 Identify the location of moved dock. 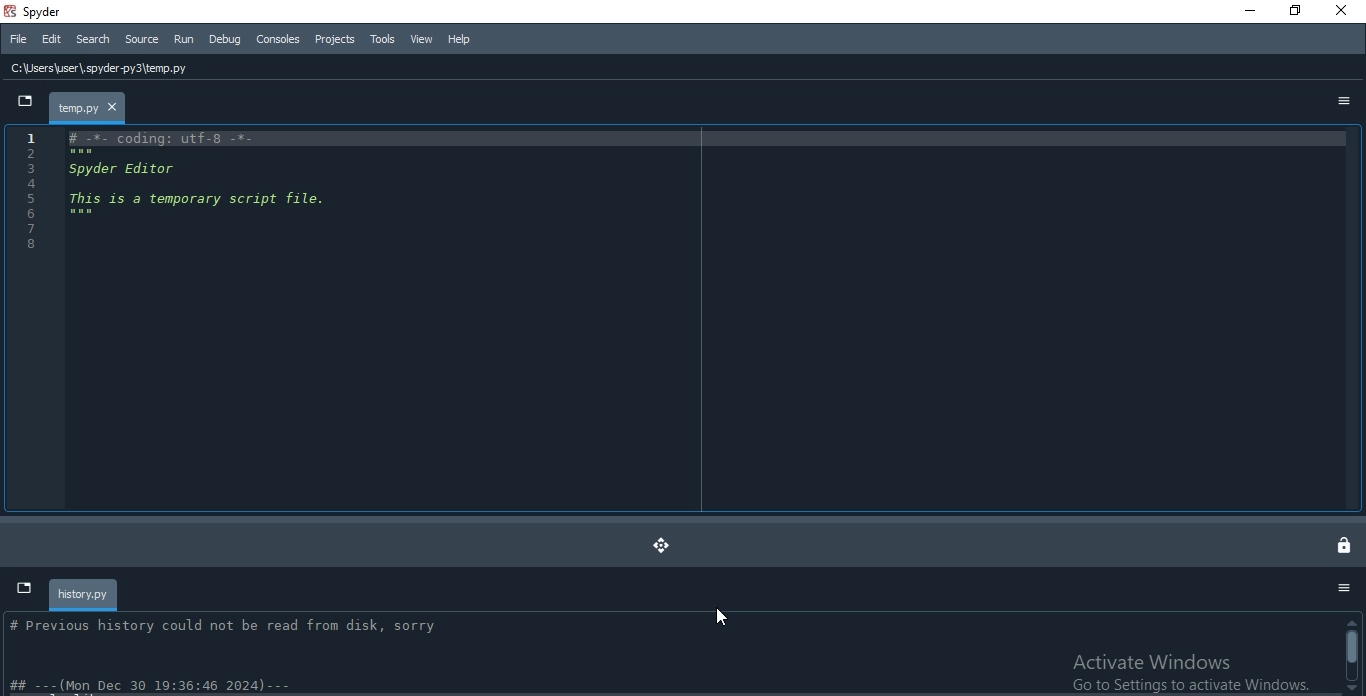
(670, 544).